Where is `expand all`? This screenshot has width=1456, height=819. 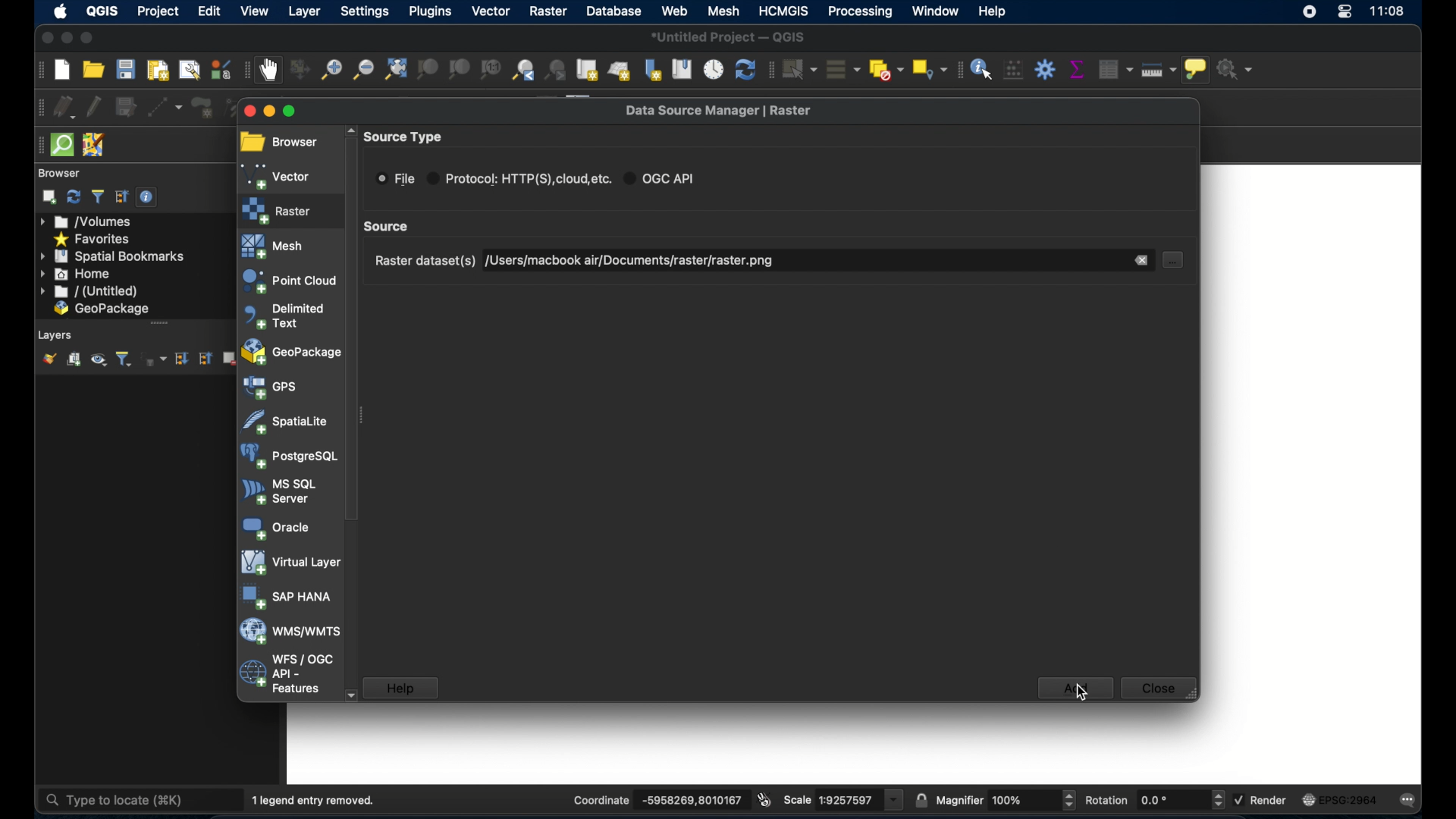
expand all is located at coordinates (183, 359).